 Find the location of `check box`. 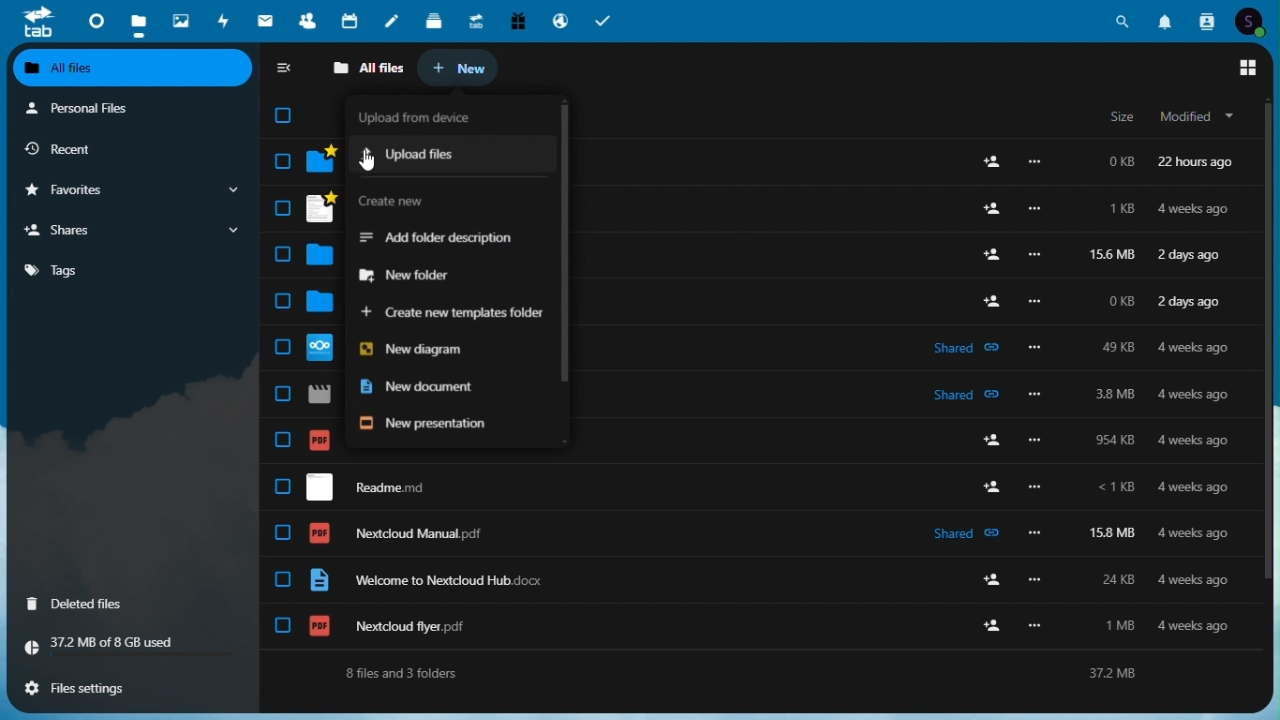

check box is located at coordinates (282, 532).